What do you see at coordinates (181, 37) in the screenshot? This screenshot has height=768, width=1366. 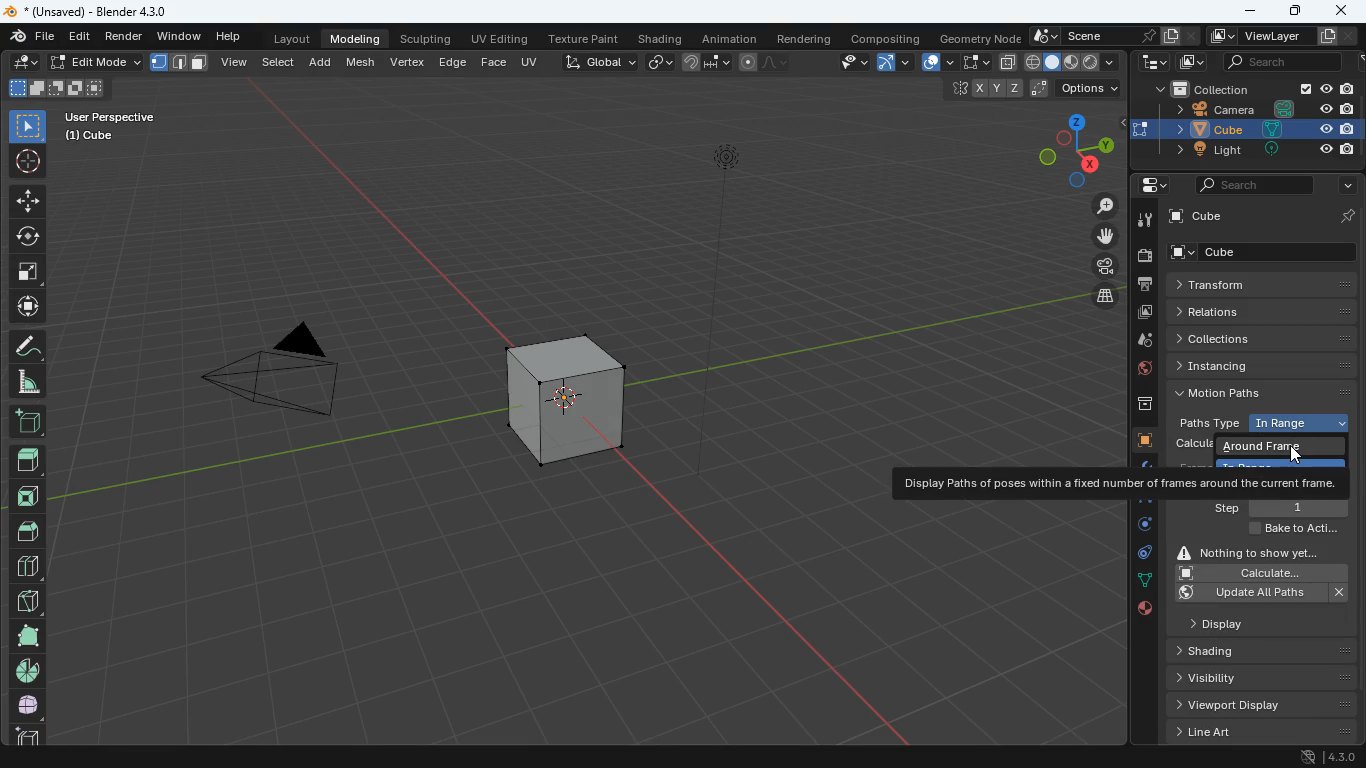 I see `window` at bounding box center [181, 37].